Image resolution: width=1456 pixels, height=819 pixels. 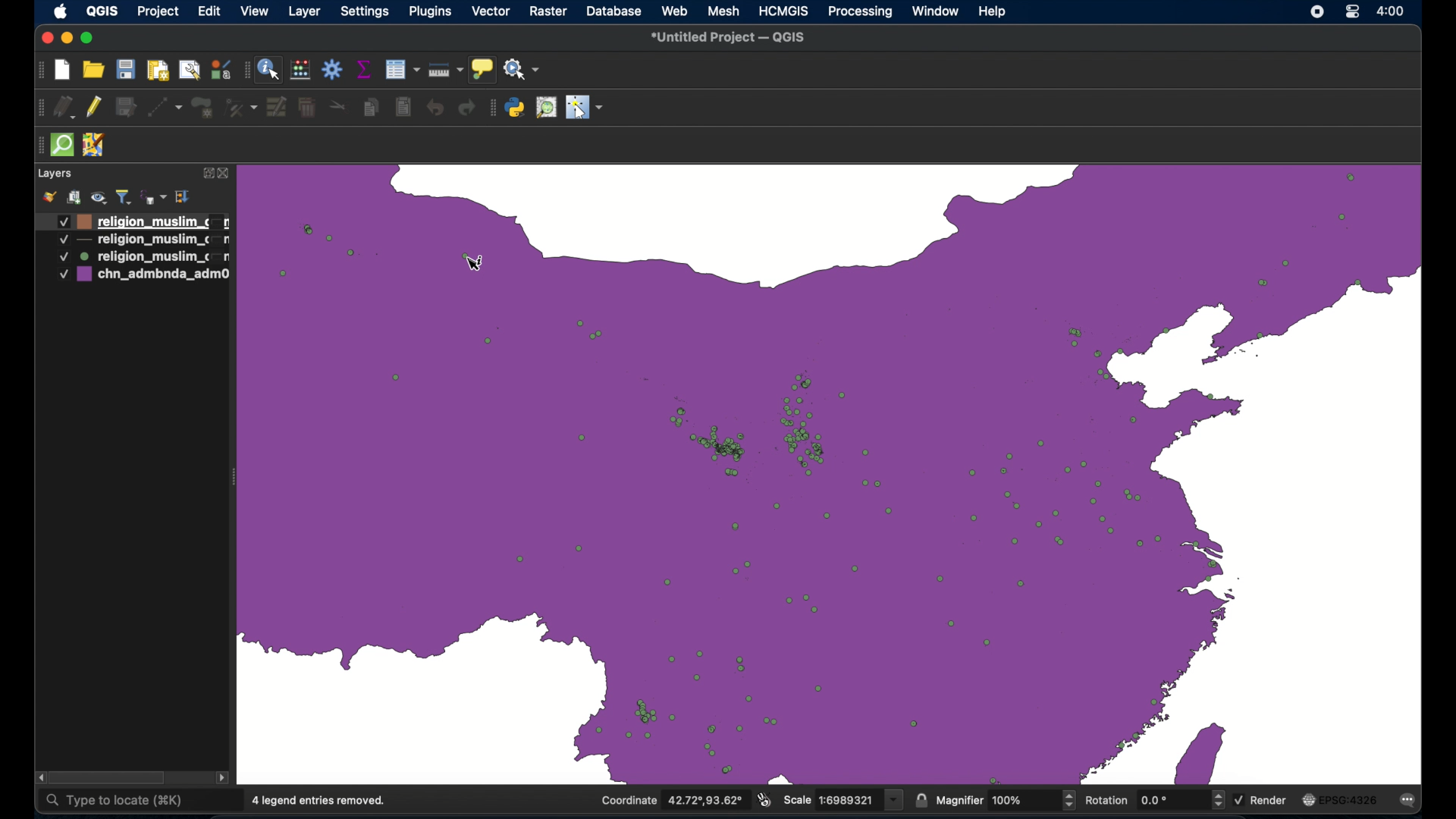 I want to click on vertex tool, so click(x=239, y=106).